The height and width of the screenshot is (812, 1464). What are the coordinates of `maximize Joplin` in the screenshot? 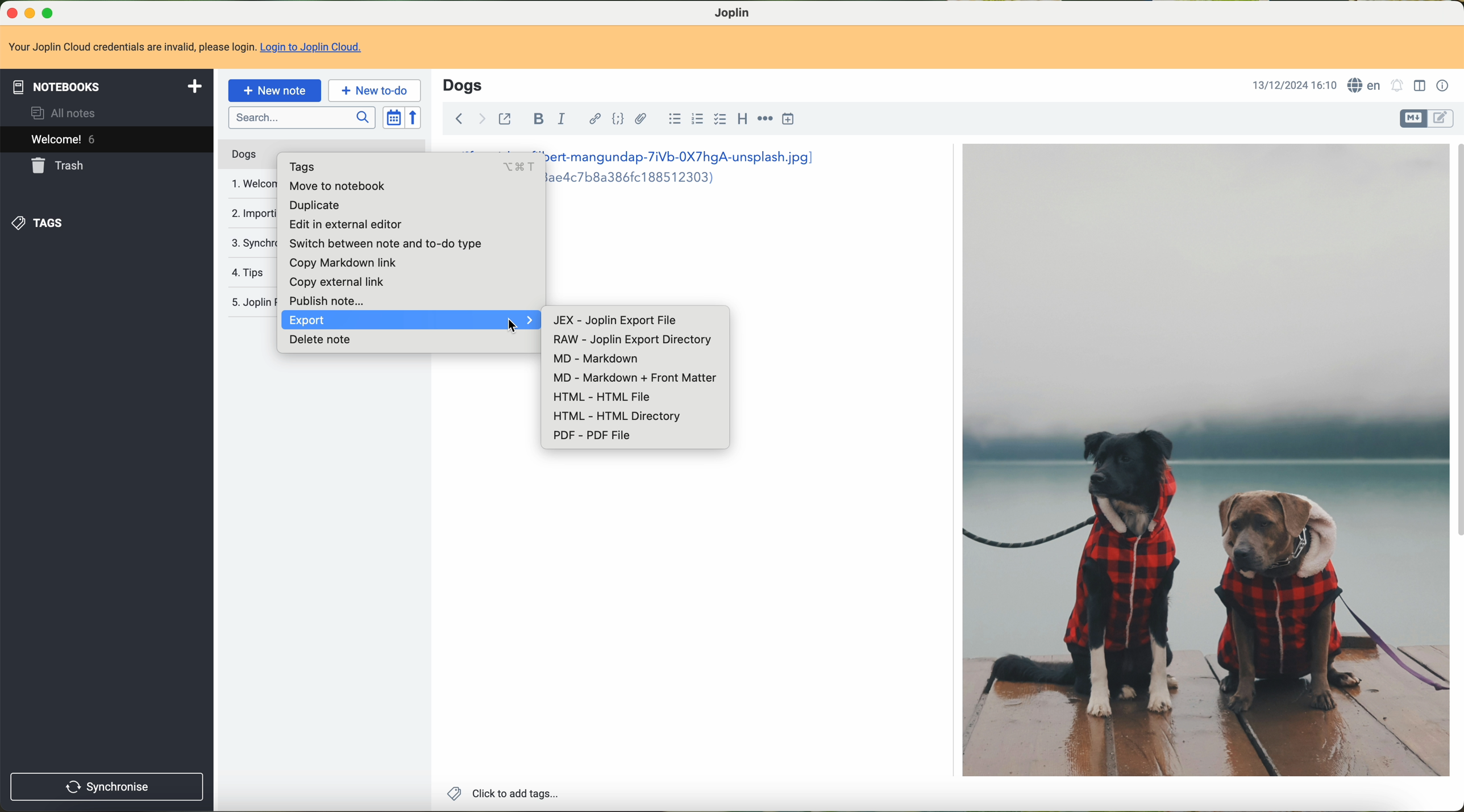 It's located at (49, 14).